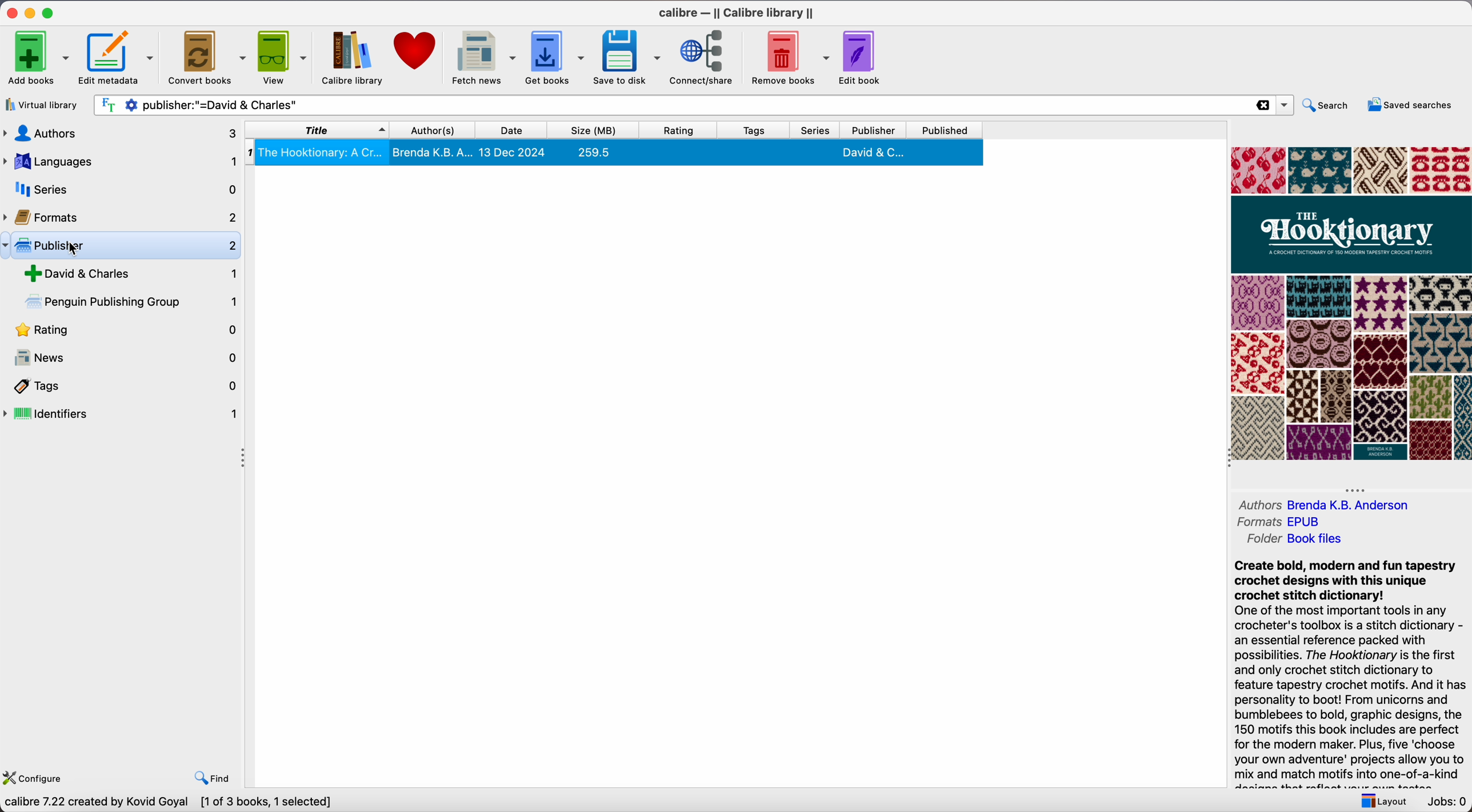 This screenshot has width=1472, height=812. What do you see at coordinates (615, 151) in the screenshot?
I see `The Hooktionary` at bounding box center [615, 151].